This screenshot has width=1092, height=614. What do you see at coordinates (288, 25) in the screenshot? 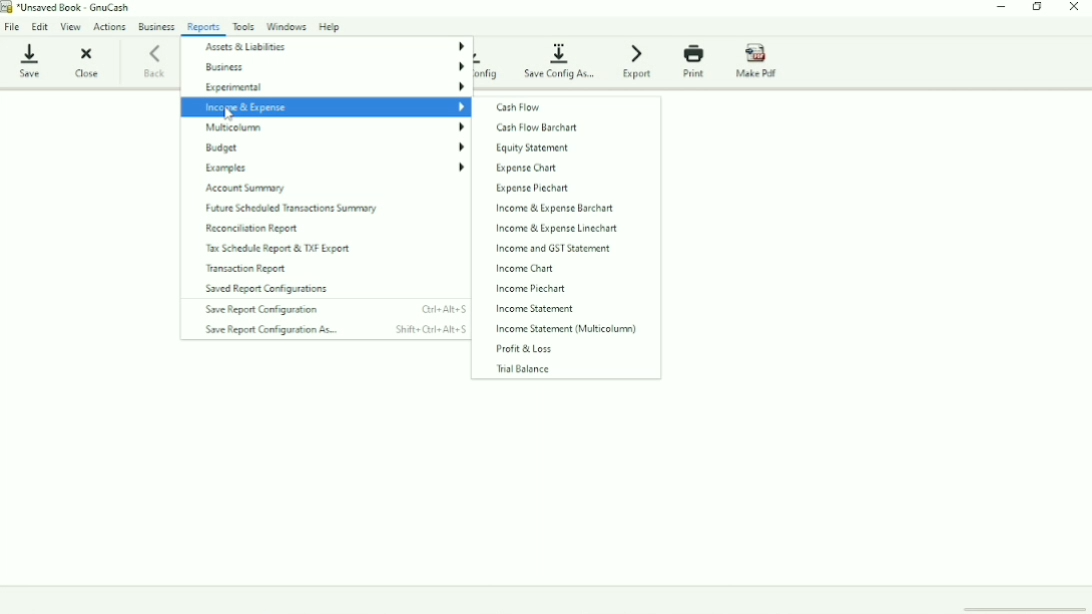
I see `Windows` at bounding box center [288, 25].